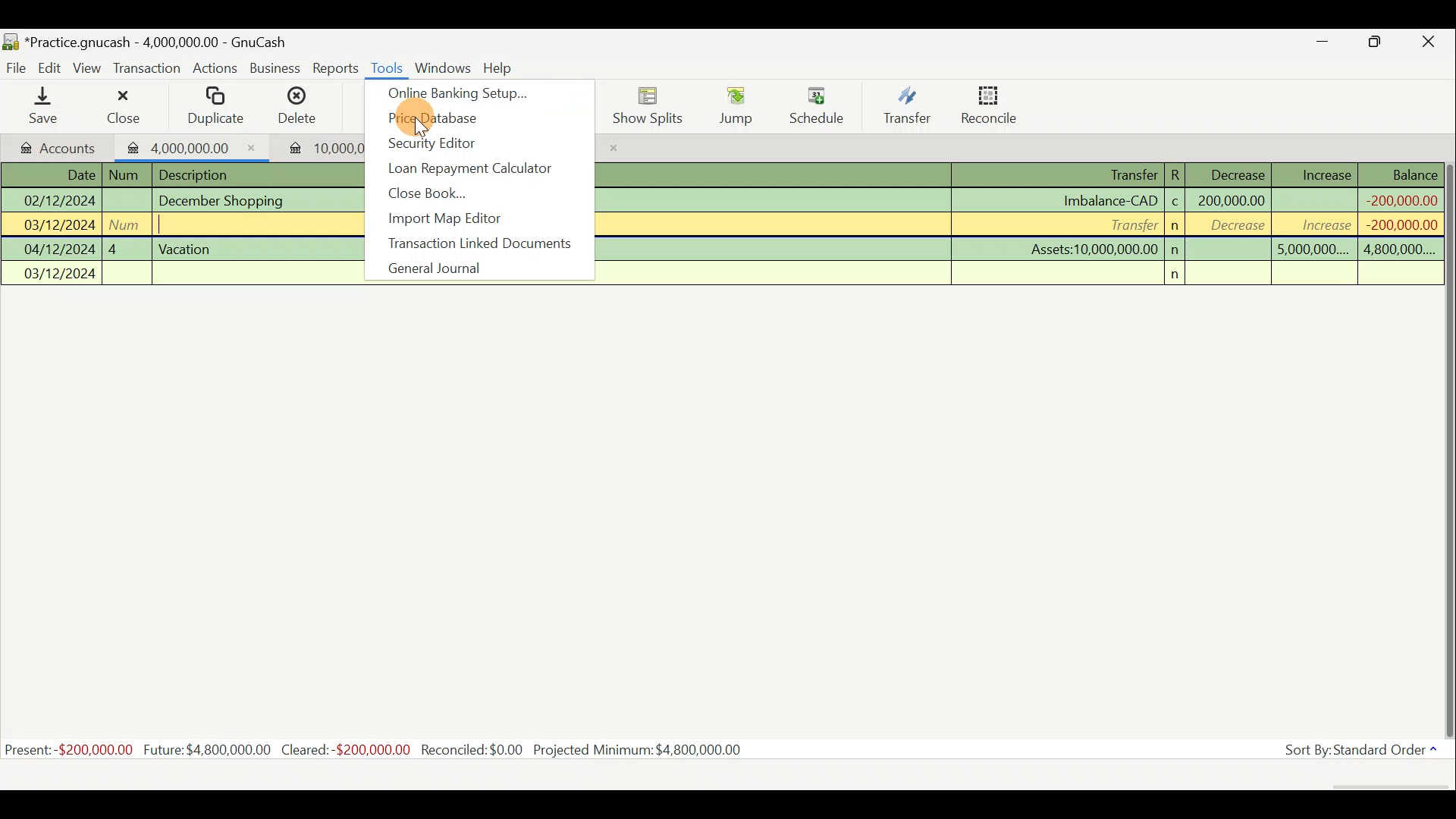  I want to click on Transfer, so click(1119, 176).